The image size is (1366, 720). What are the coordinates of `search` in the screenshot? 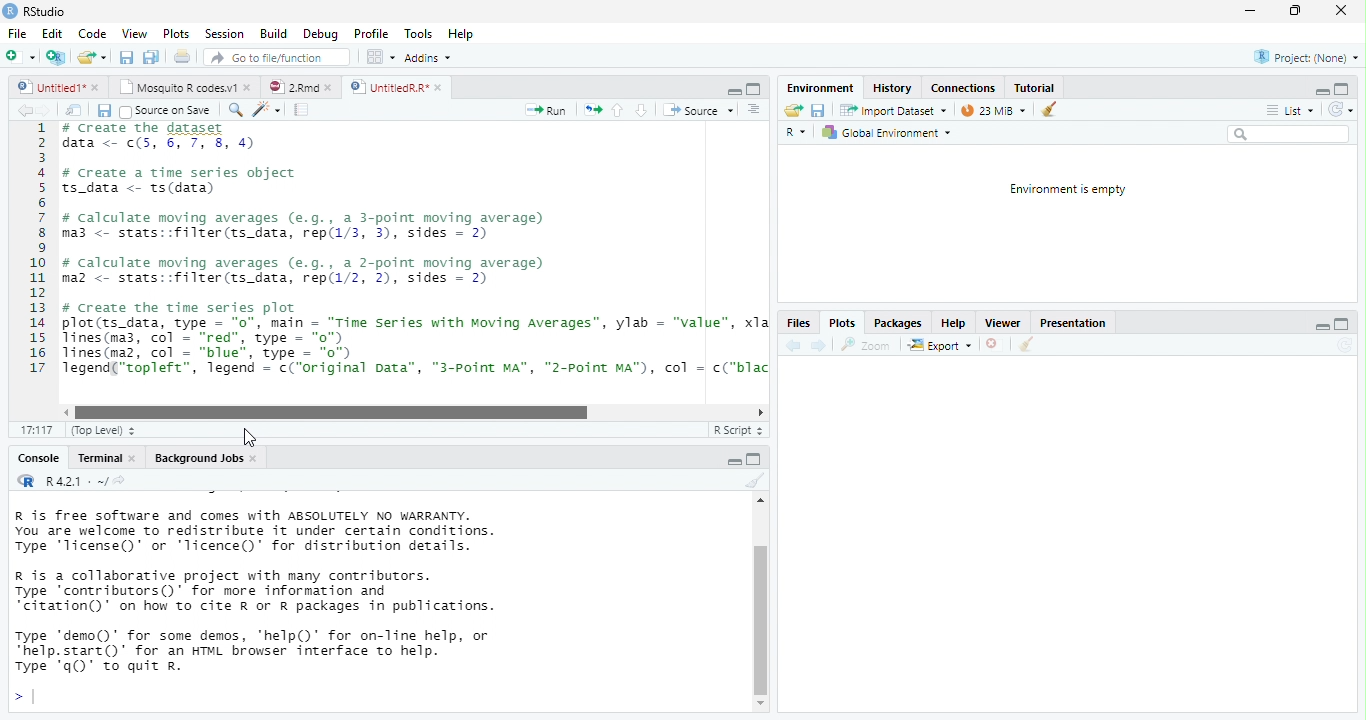 It's located at (1288, 134).